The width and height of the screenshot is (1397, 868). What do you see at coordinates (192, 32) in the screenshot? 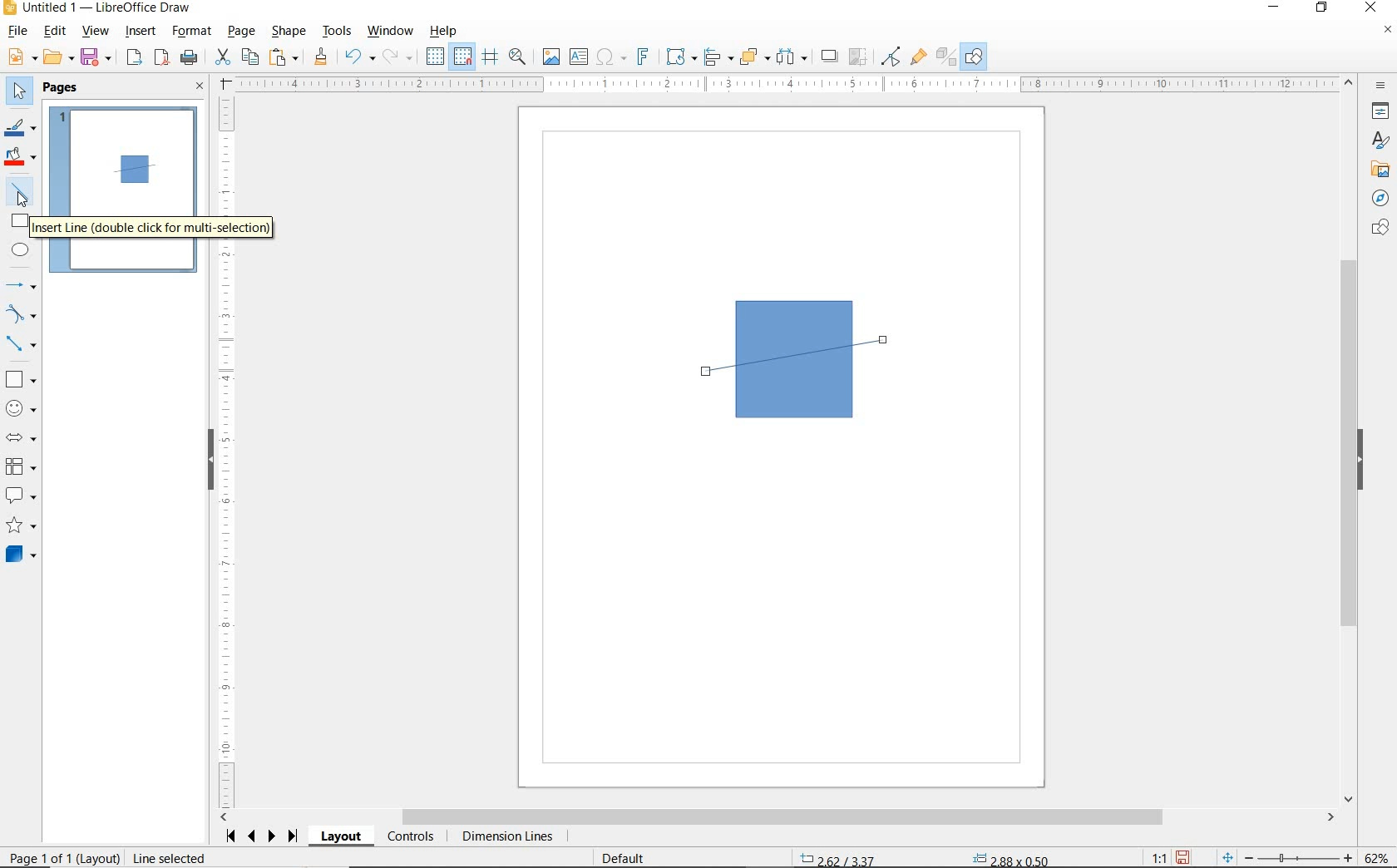
I see `FORMAT` at bounding box center [192, 32].